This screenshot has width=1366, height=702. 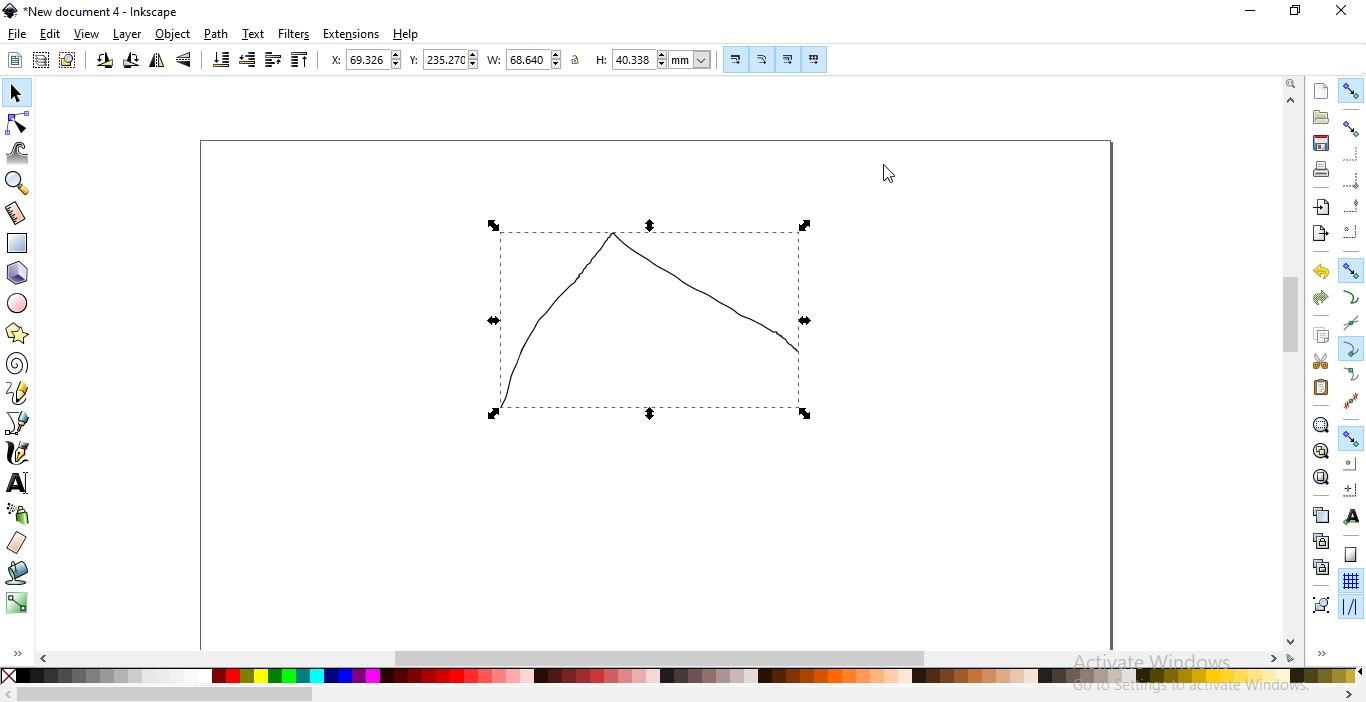 What do you see at coordinates (663, 656) in the screenshot?
I see `scrollbar` at bounding box center [663, 656].